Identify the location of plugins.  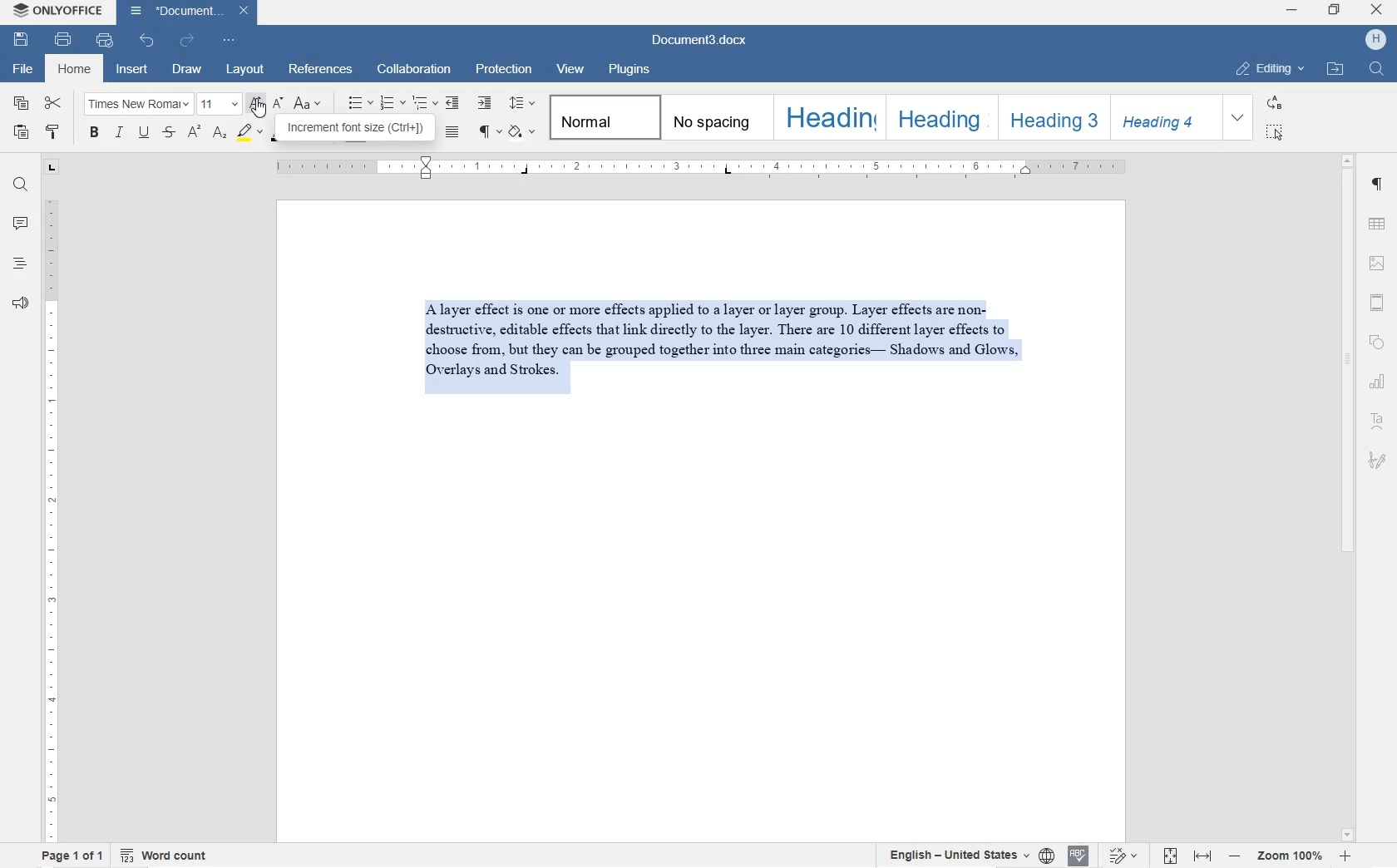
(629, 70).